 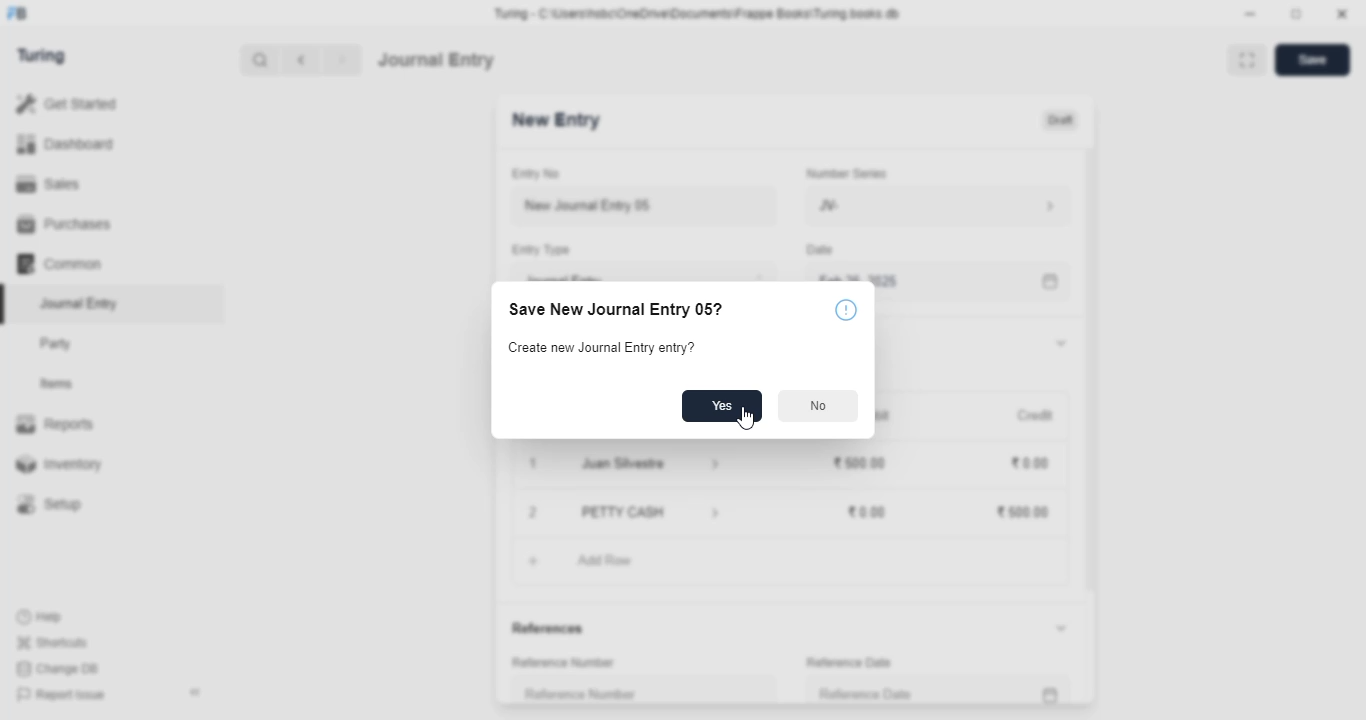 I want to click on juan silvestre, so click(x=627, y=465).